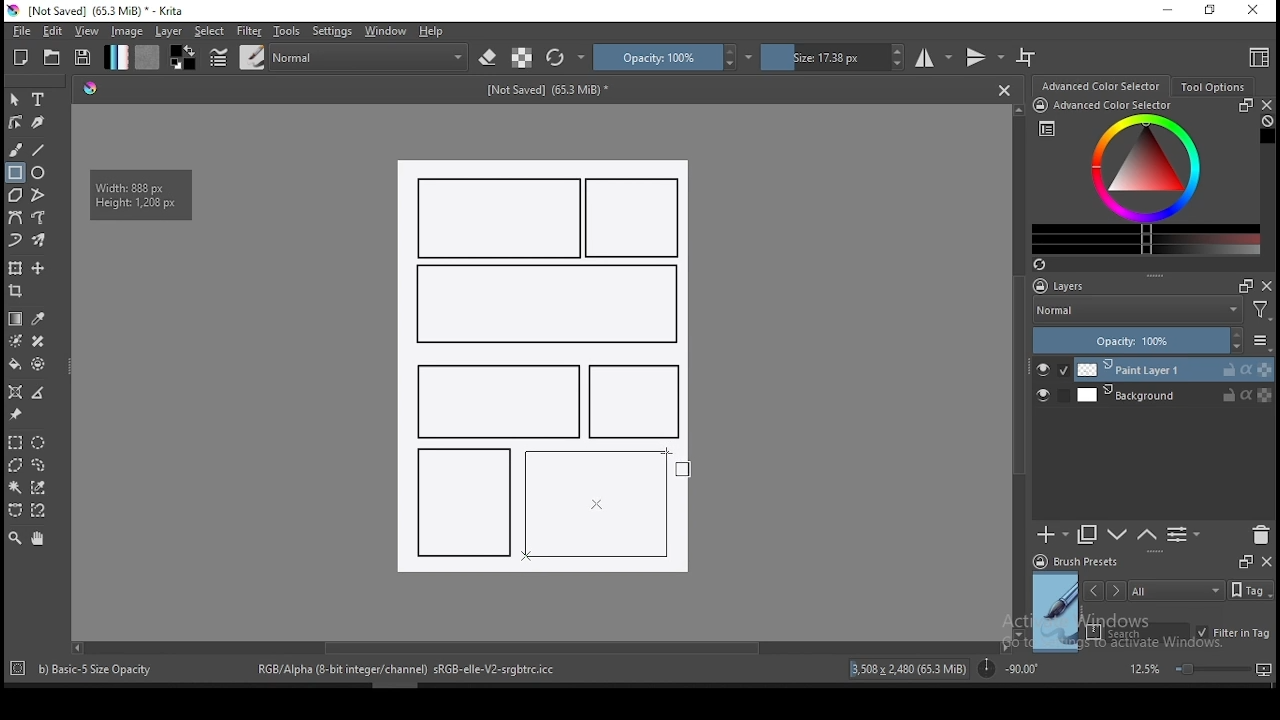  What do you see at coordinates (40, 242) in the screenshot?
I see `multibrush tool` at bounding box center [40, 242].